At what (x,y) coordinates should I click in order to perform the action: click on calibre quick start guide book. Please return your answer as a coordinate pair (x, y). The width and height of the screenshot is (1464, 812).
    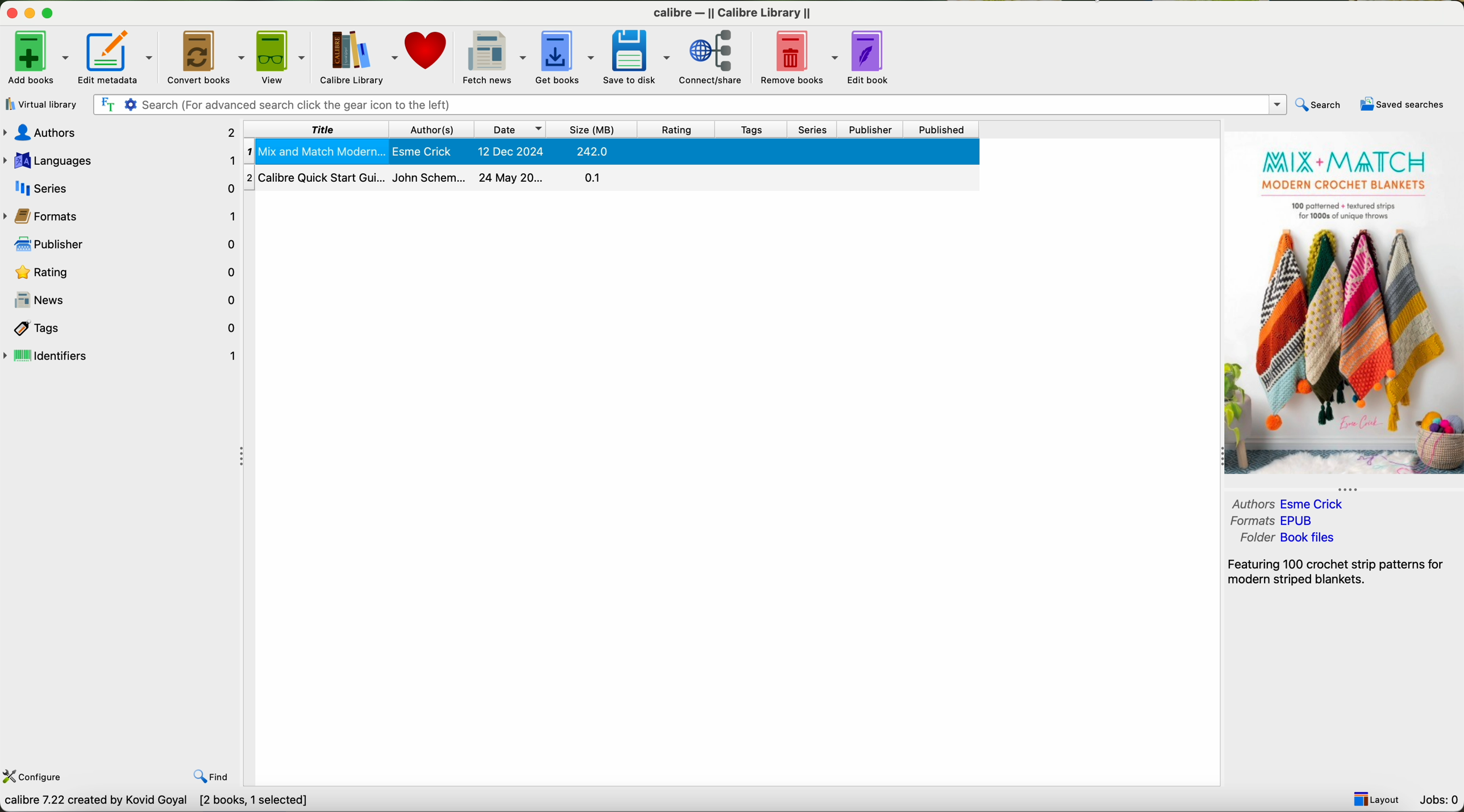
    Looking at the image, I should click on (611, 176).